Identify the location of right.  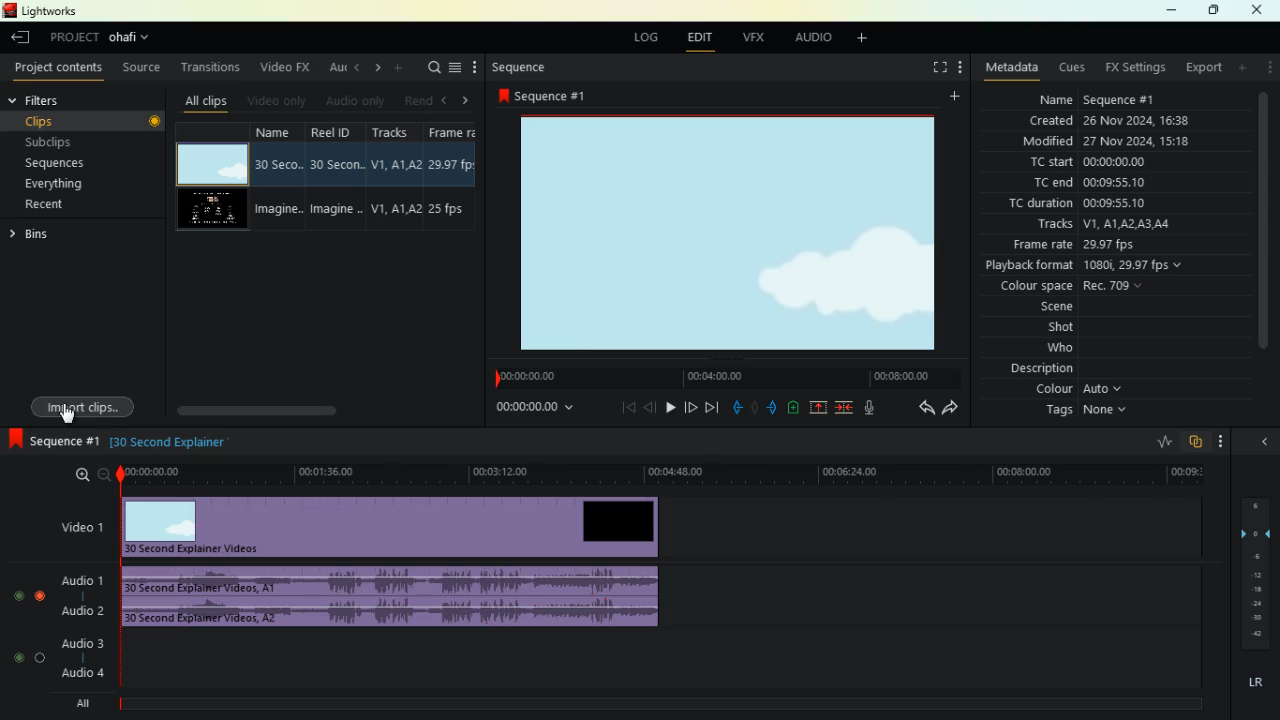
(470, 101).